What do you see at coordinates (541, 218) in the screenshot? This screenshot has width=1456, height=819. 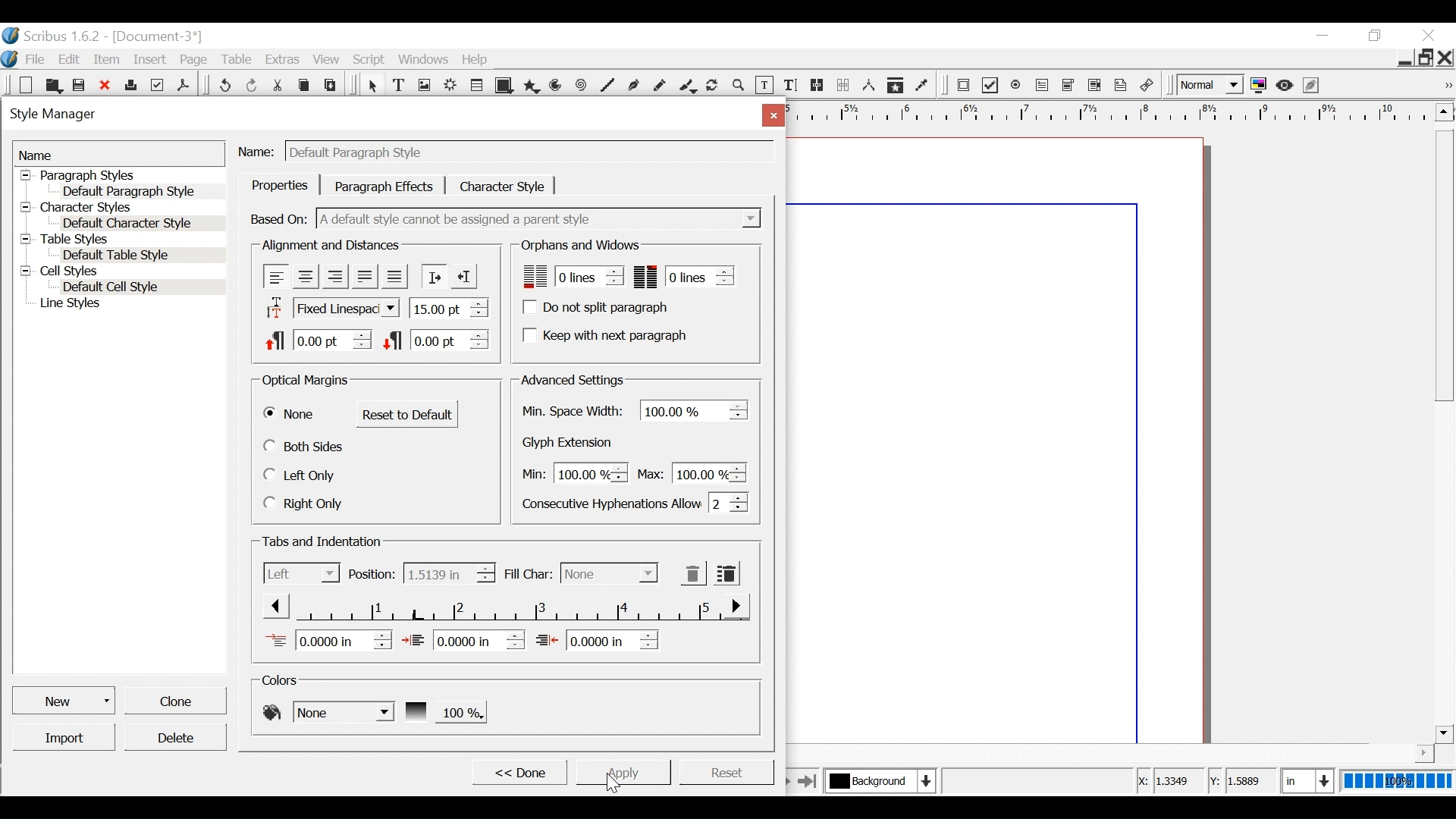 I see `Dropdown` at bounding box center [541, 218].